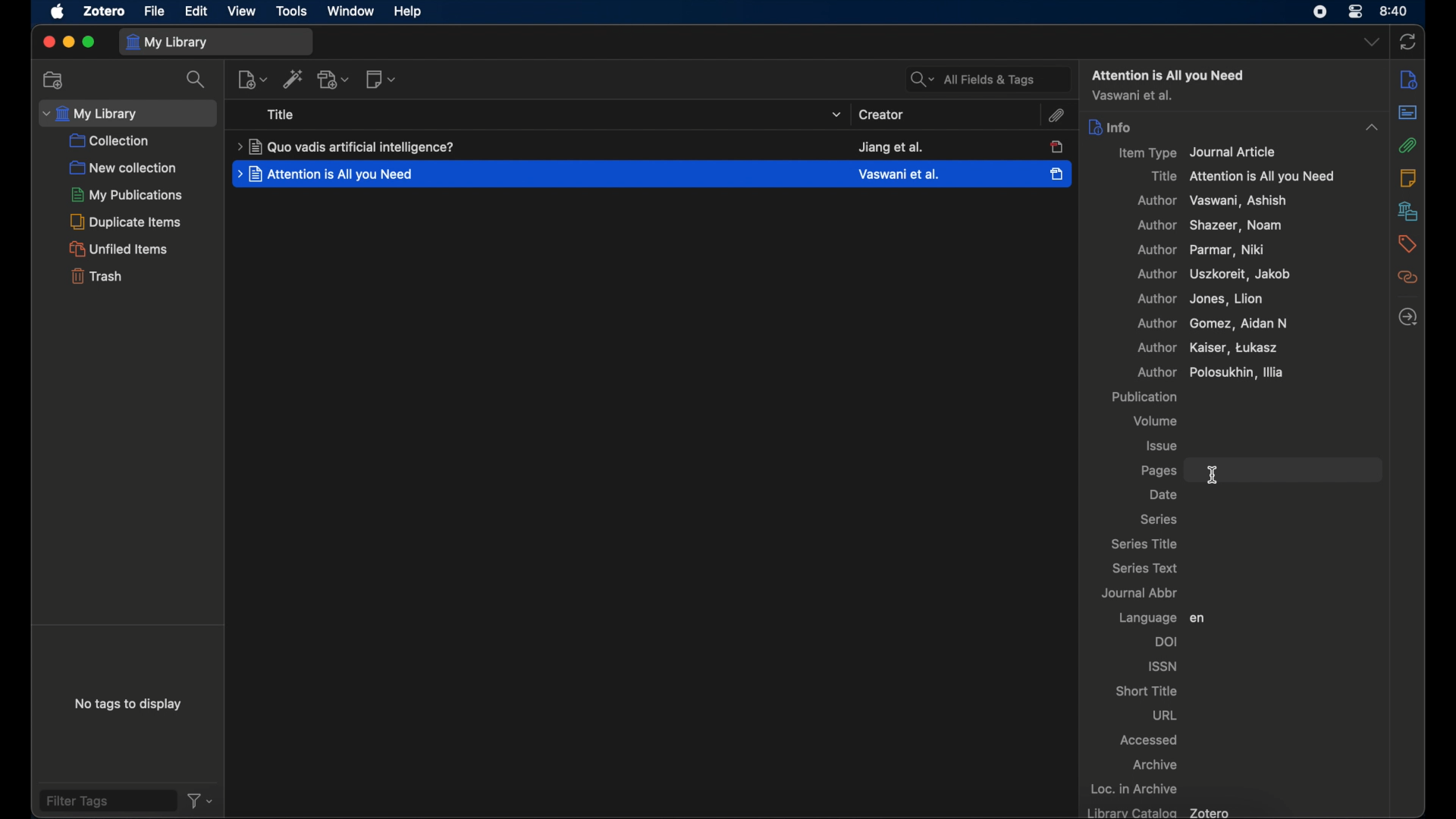 The image size is (1456, 819). Describe the element at coordinates (243, 11) in the screenshot. I see `view` at that location.